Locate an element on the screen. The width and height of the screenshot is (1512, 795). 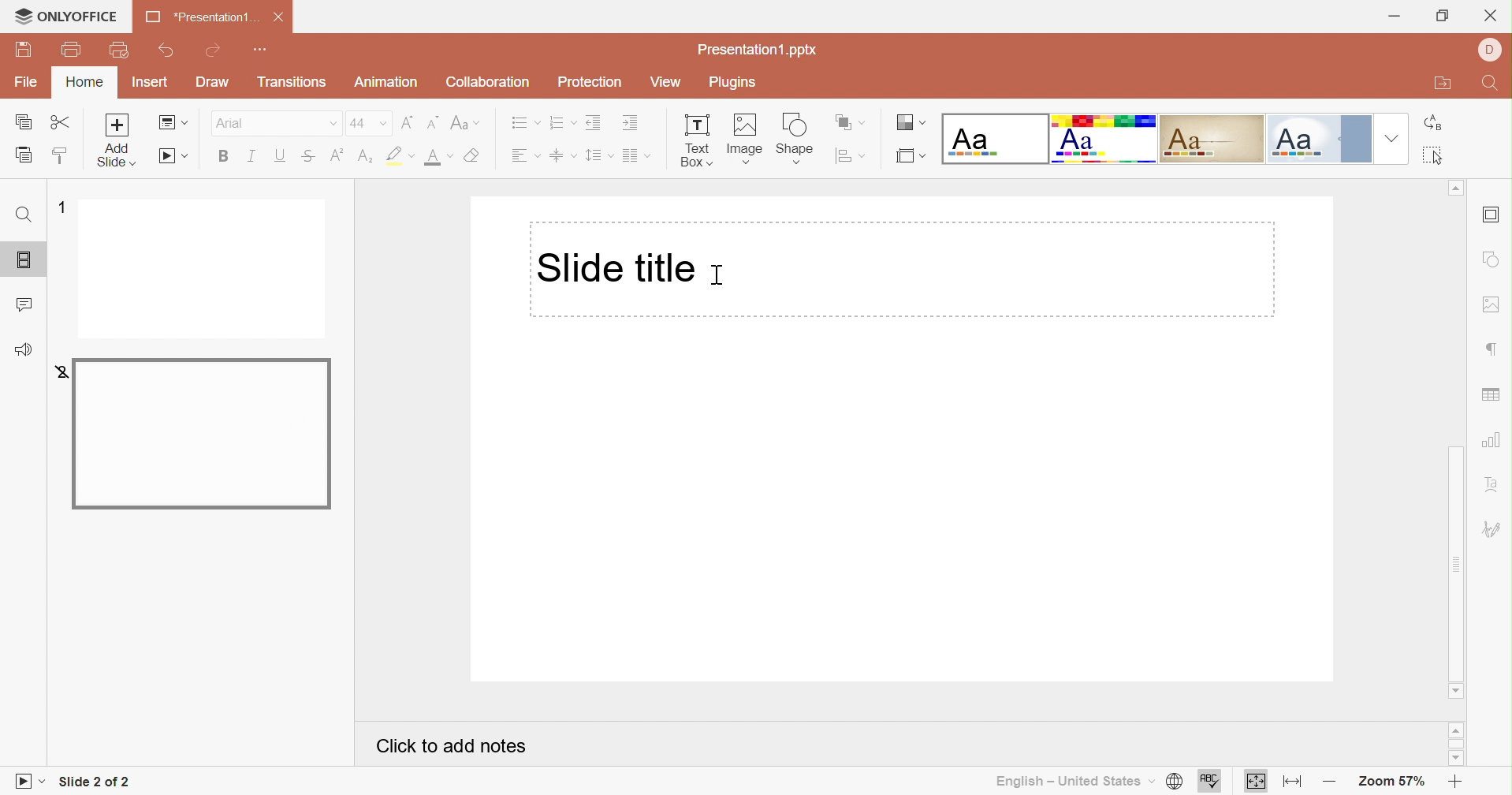
profile is located at coordinates (1490, 47).